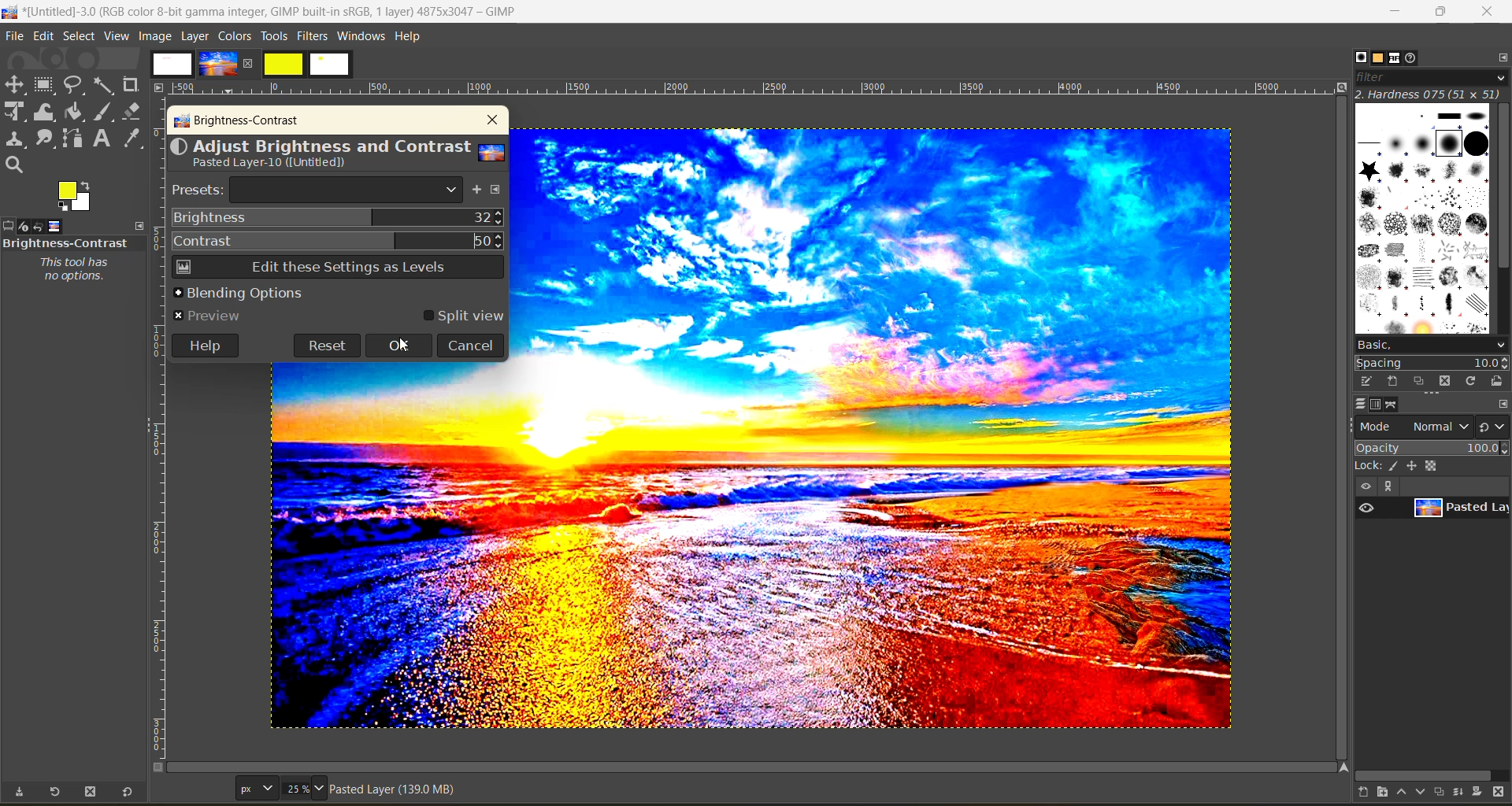  I want to click on close, so click(489, 120).